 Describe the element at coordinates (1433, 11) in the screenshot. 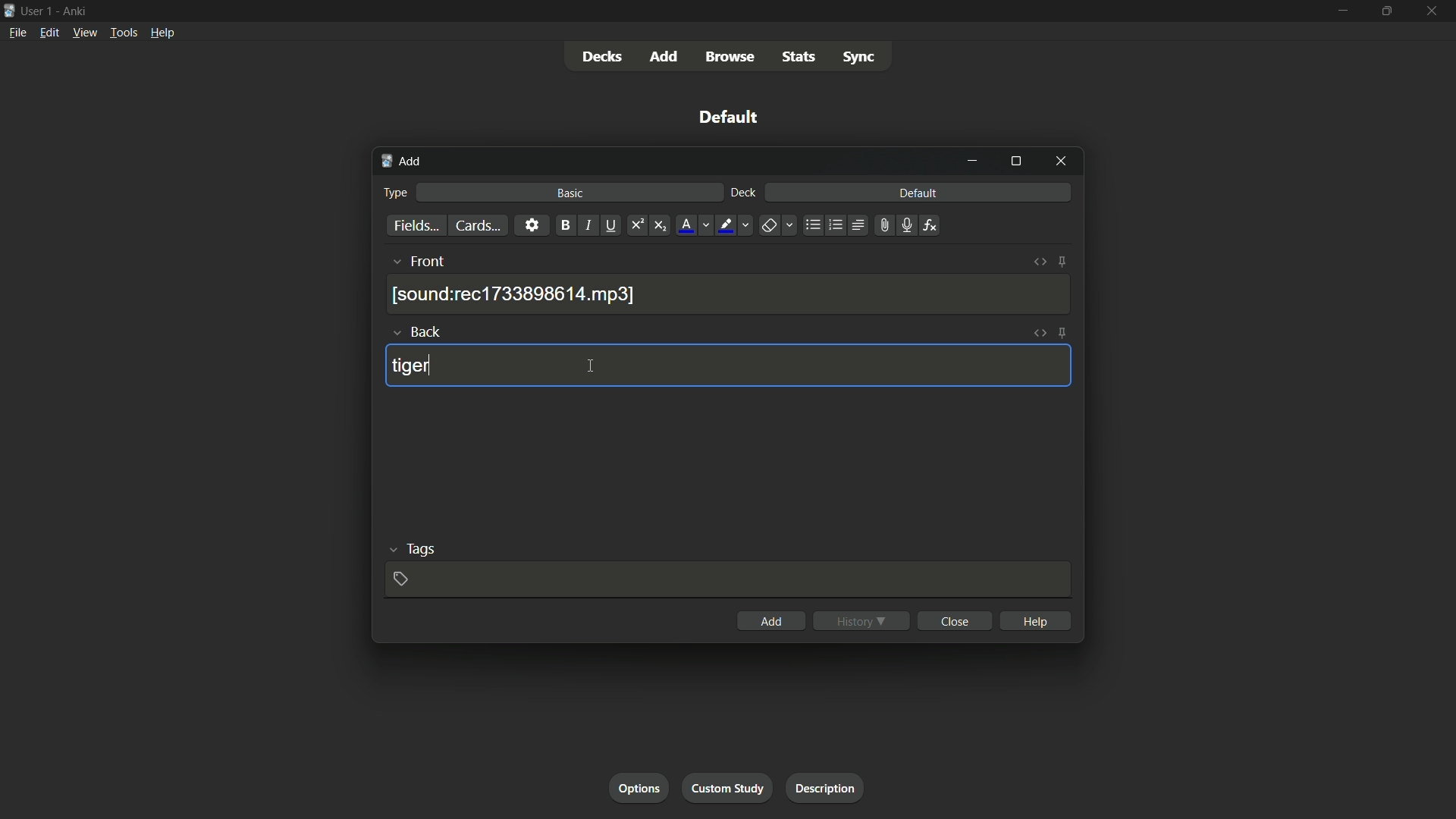

I see `close app` at that location.